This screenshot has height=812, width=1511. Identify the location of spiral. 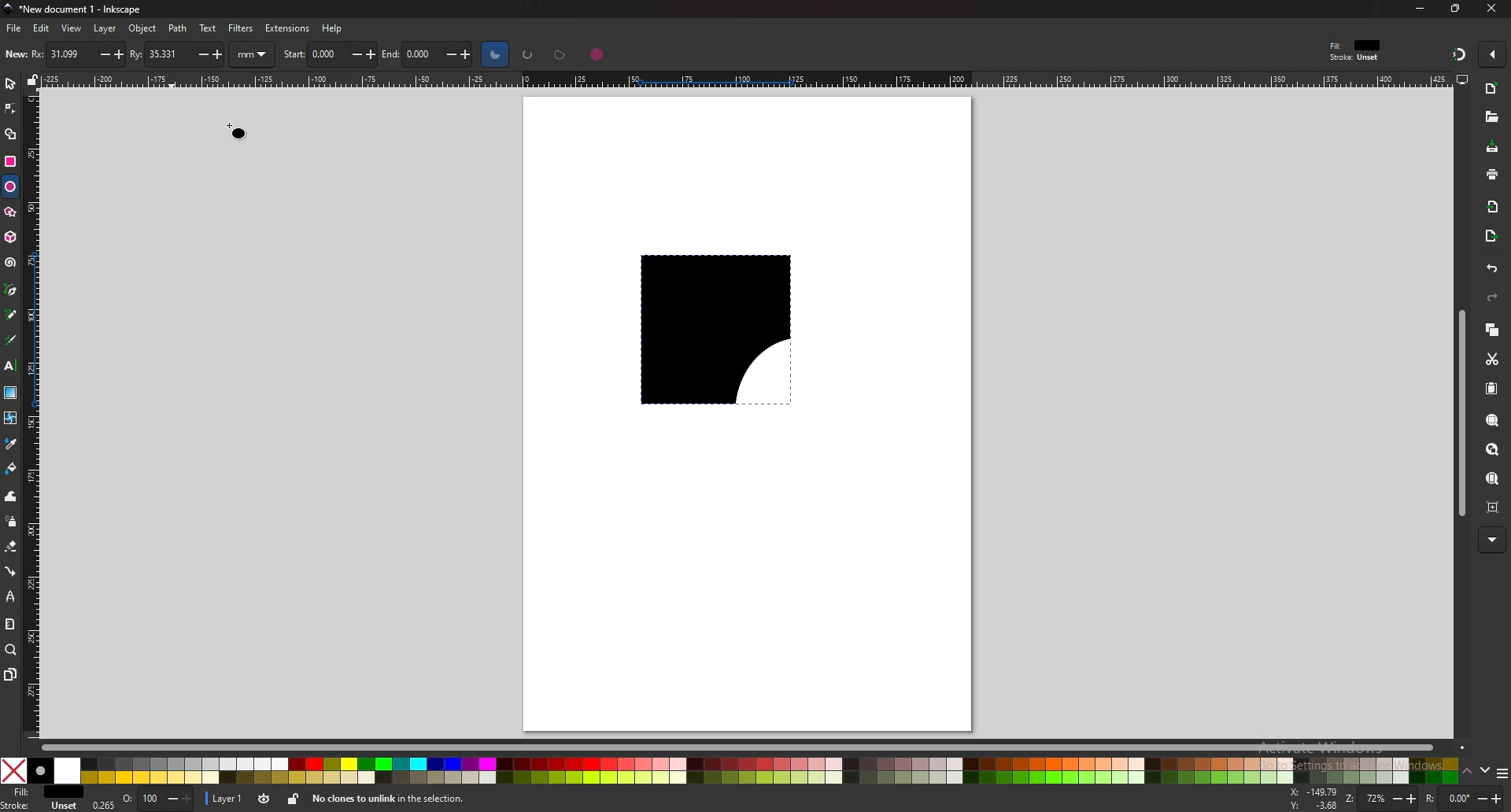
(11, 262).